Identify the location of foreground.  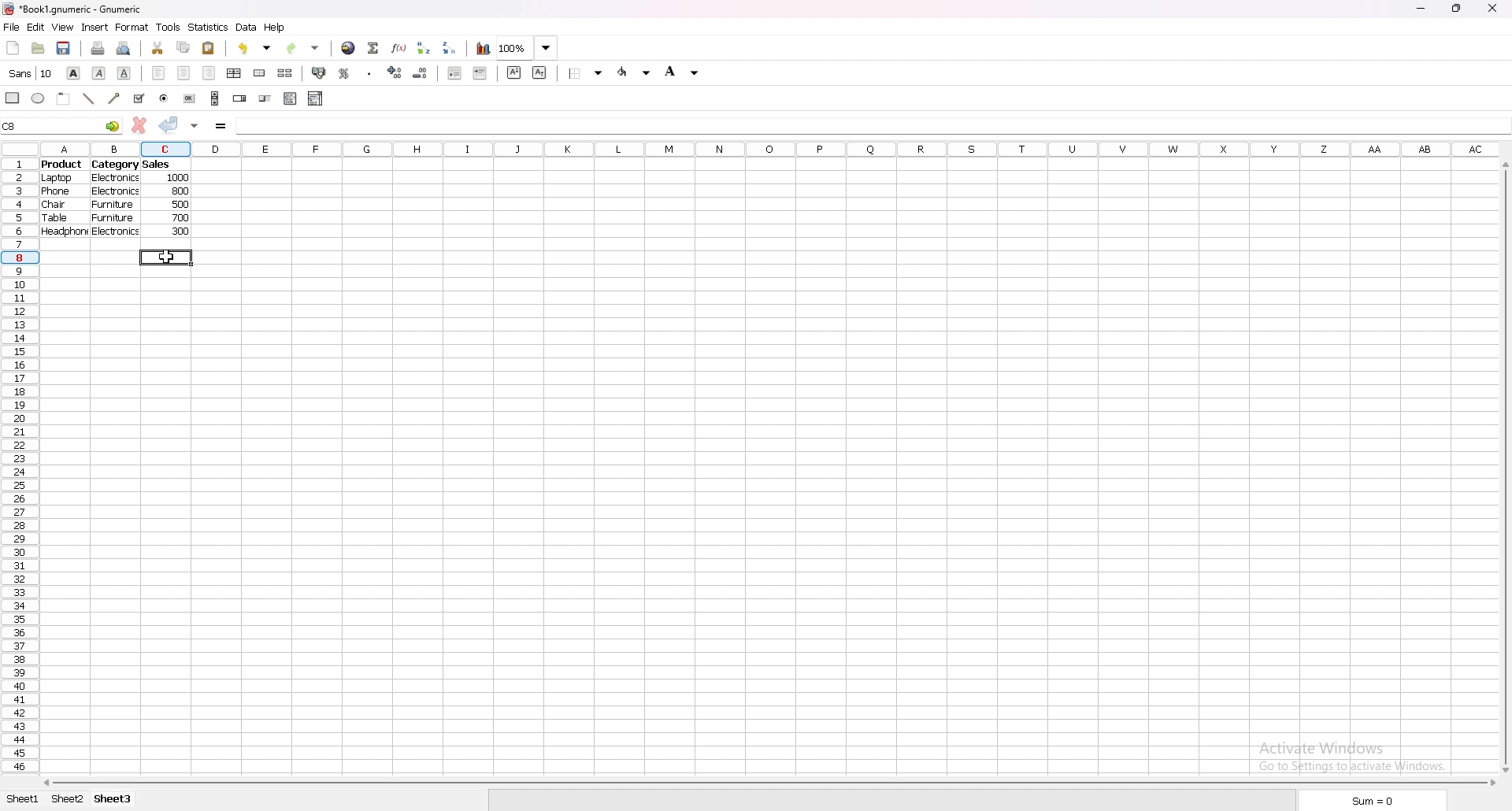
(636, 72).